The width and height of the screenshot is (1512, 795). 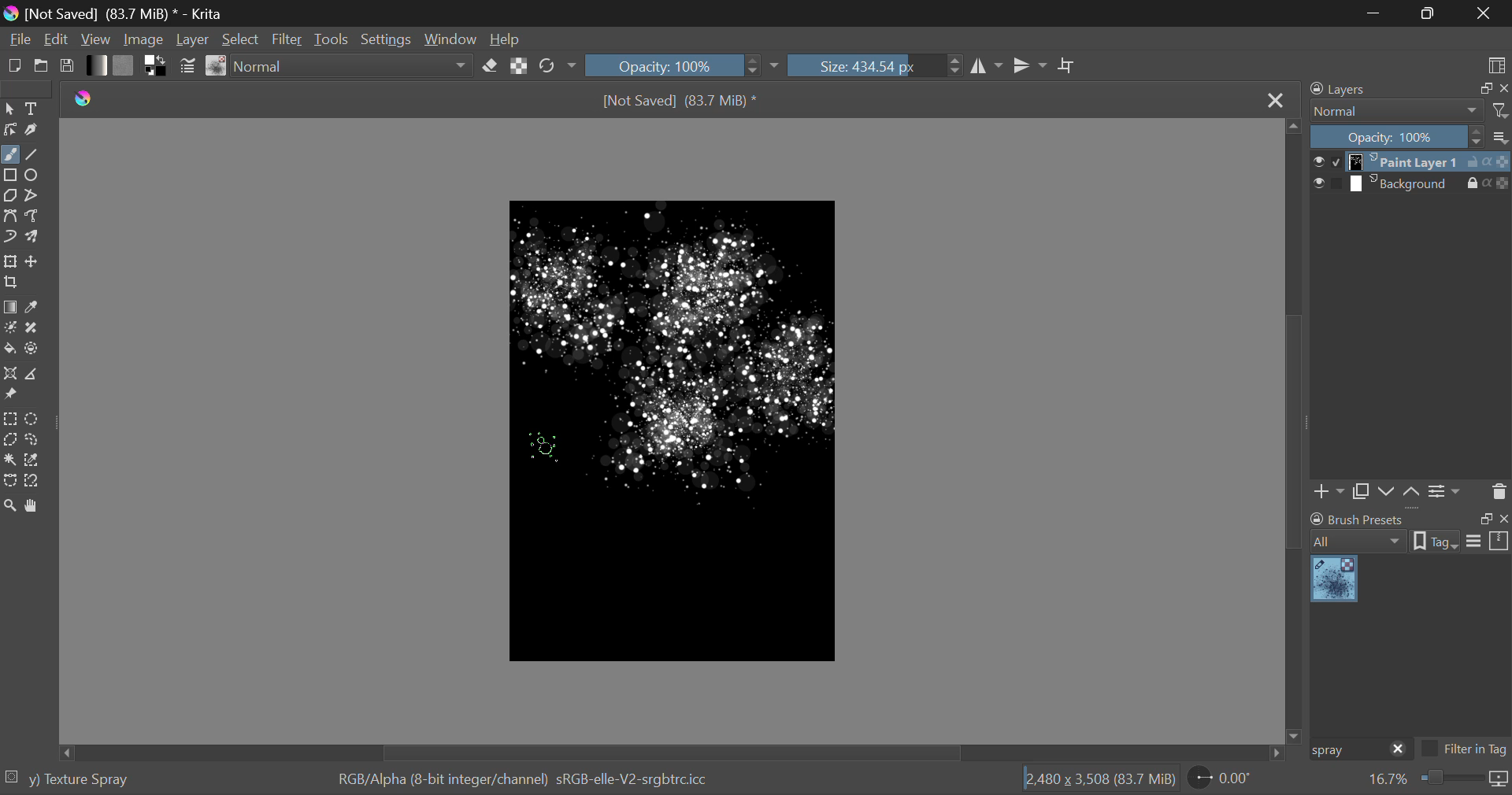 I want to click on logo, so click(x=10, y=15).